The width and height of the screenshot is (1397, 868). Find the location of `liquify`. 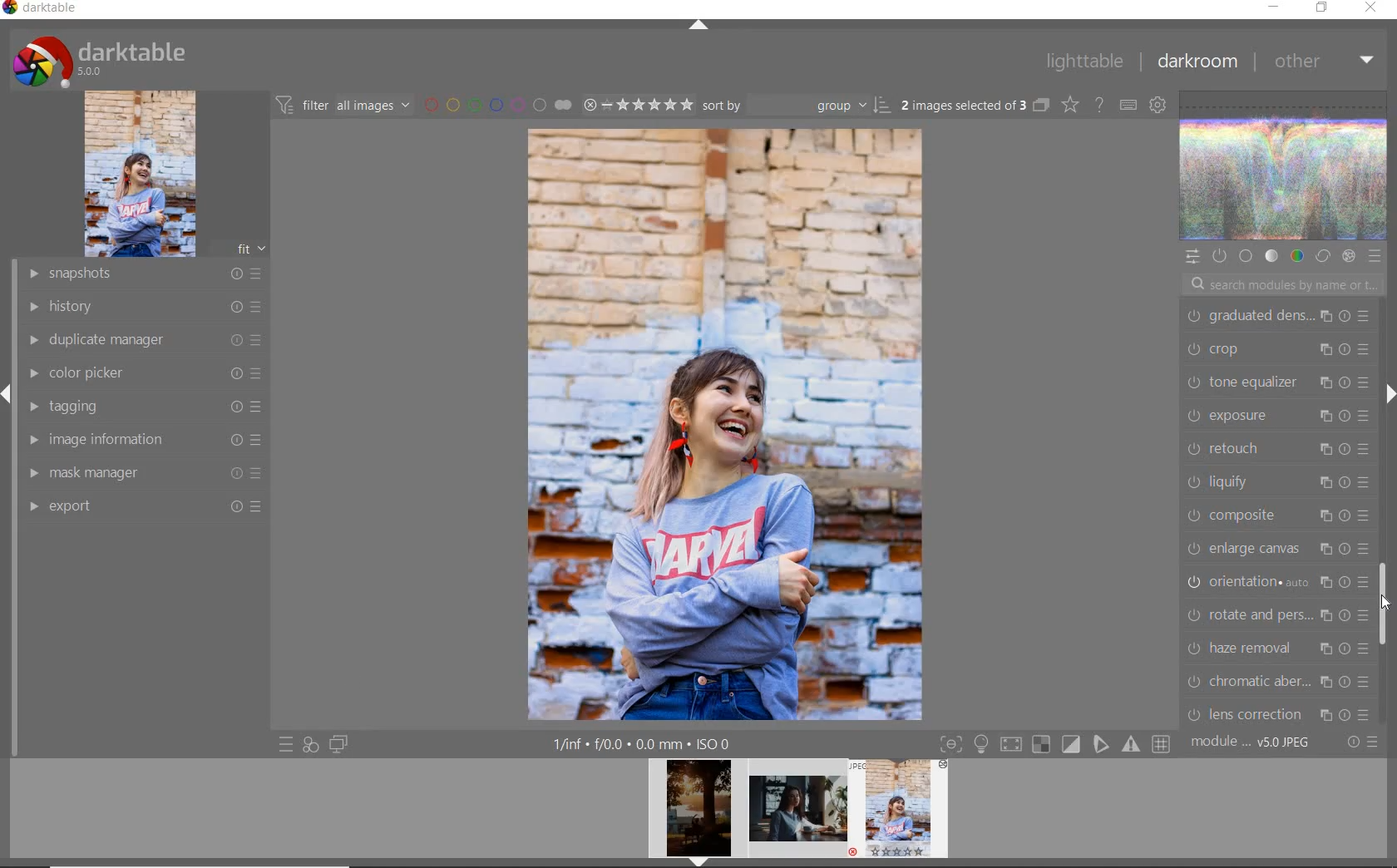

liquify is located at coordinates (1276, 483).